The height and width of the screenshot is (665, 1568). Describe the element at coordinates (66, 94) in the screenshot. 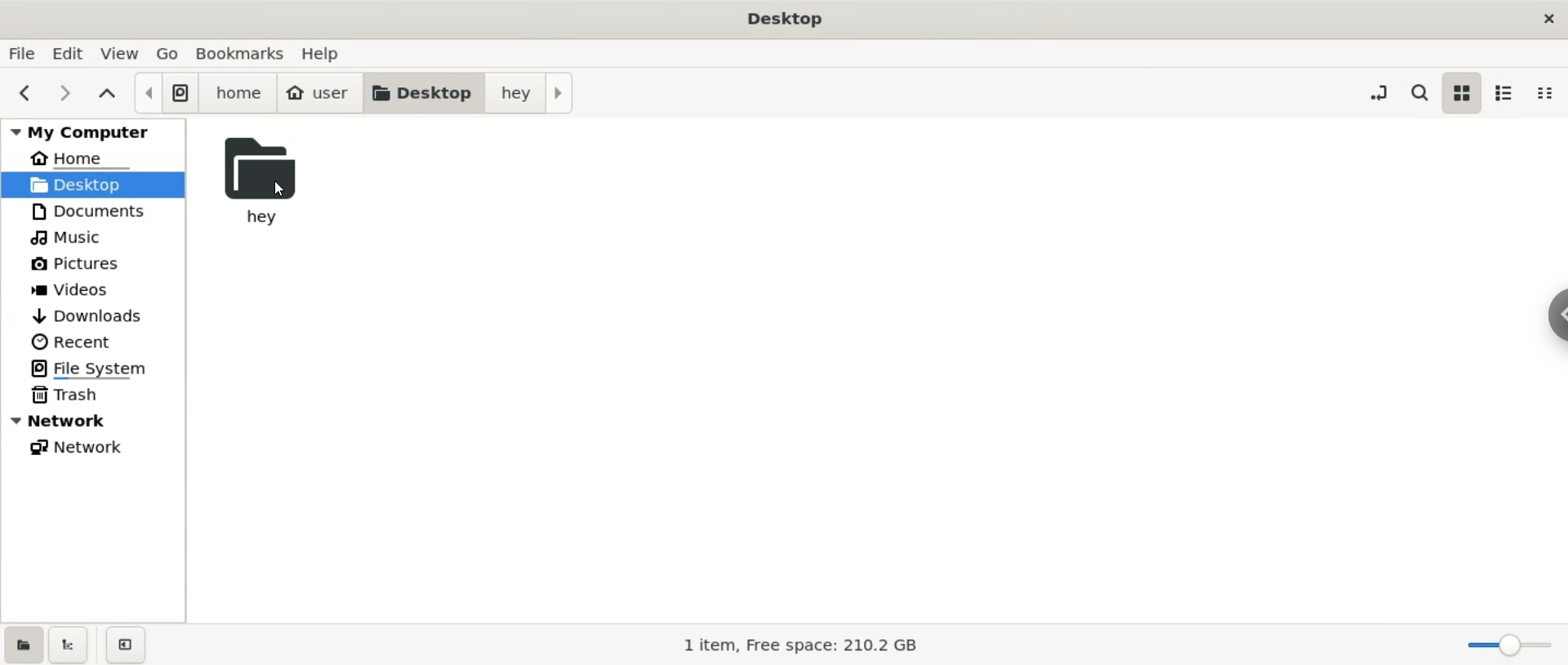

I see `next` at that location.